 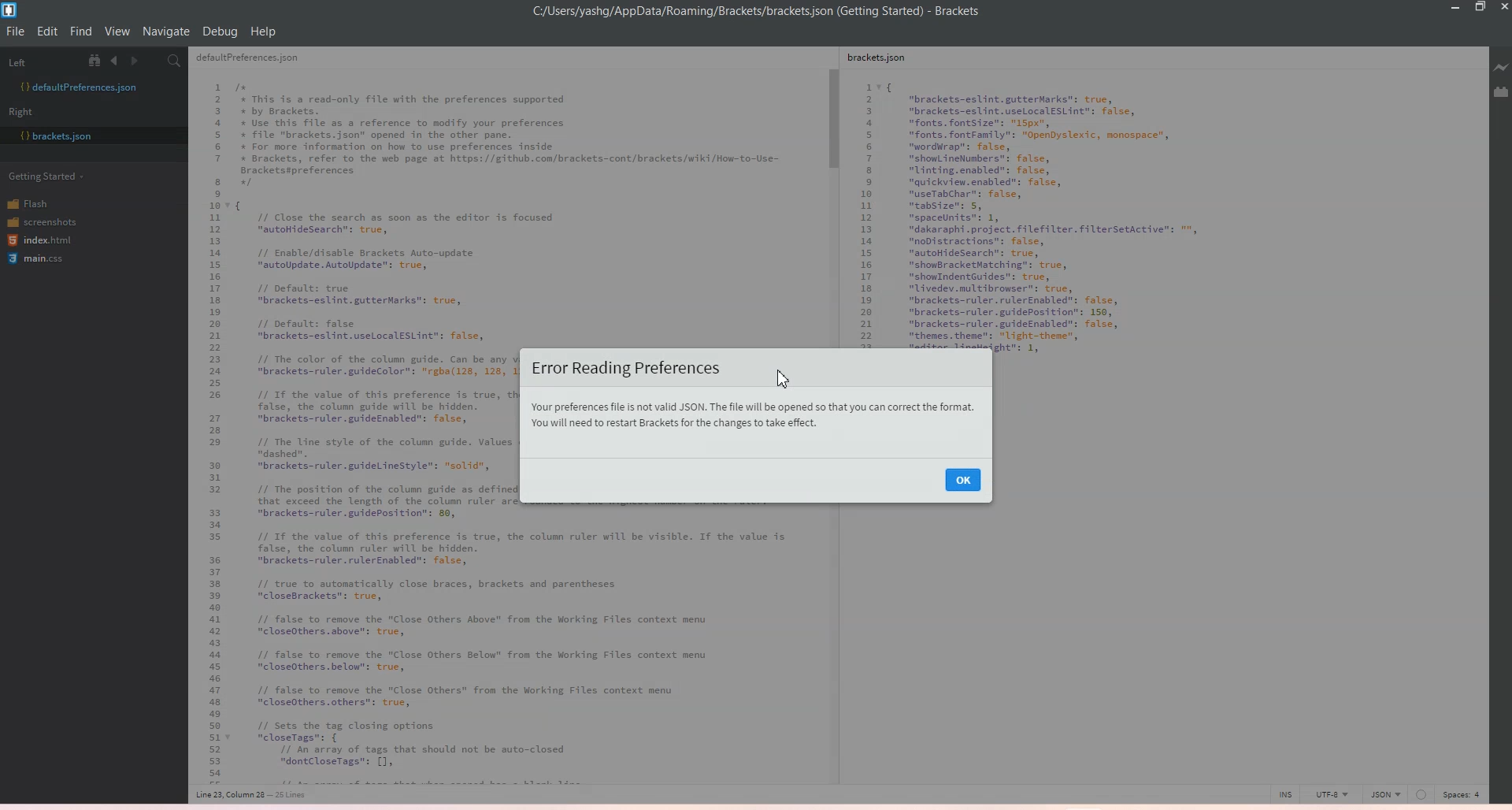 What do you see at coordinates (42, 241) in the screenshot?
I see `index.html` at bounding box center [42, 241].